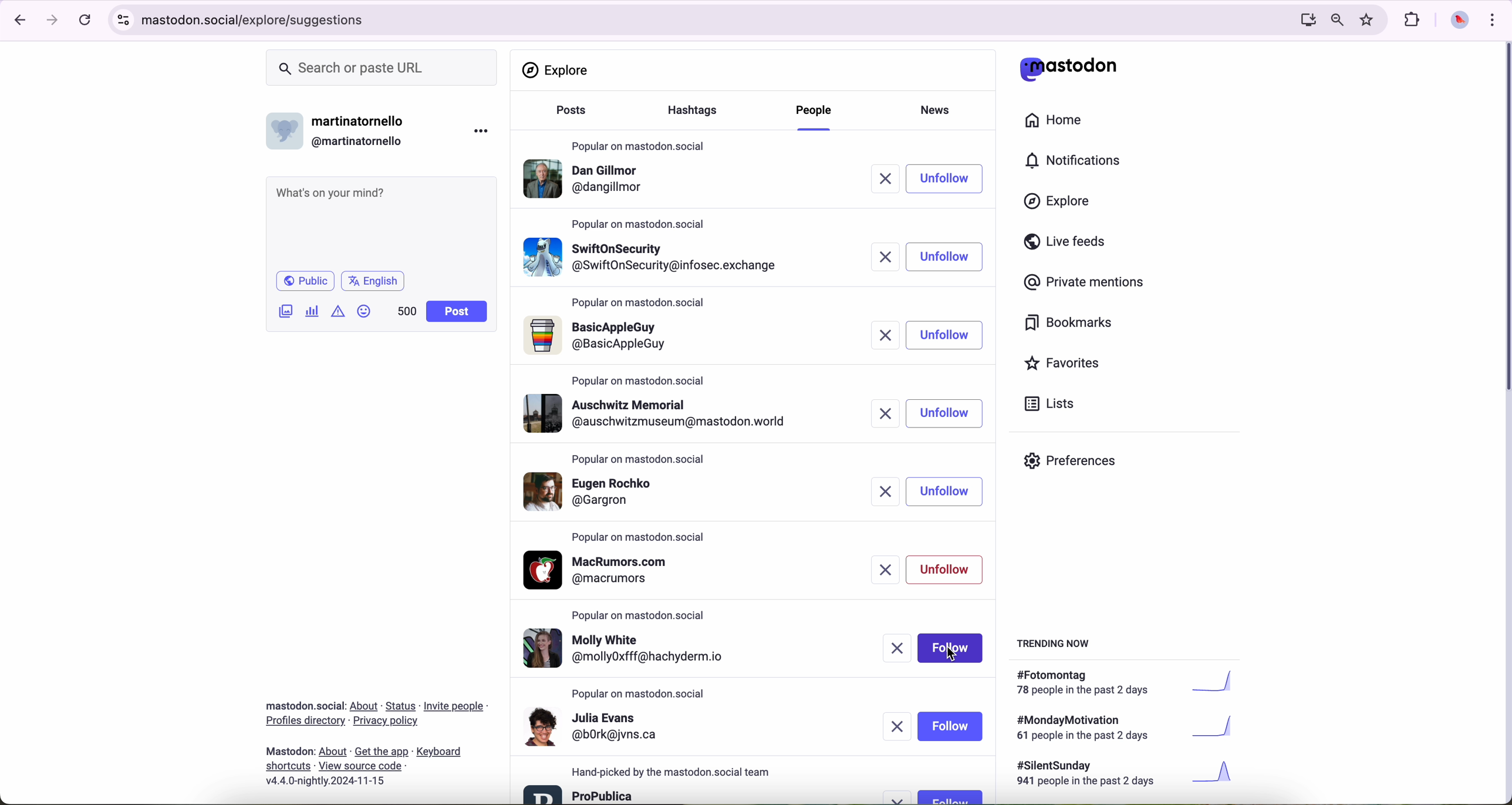 Image resolution: width=1512 pixels, height=805 pixels. I want to click on extensions, so click(1413, 20).